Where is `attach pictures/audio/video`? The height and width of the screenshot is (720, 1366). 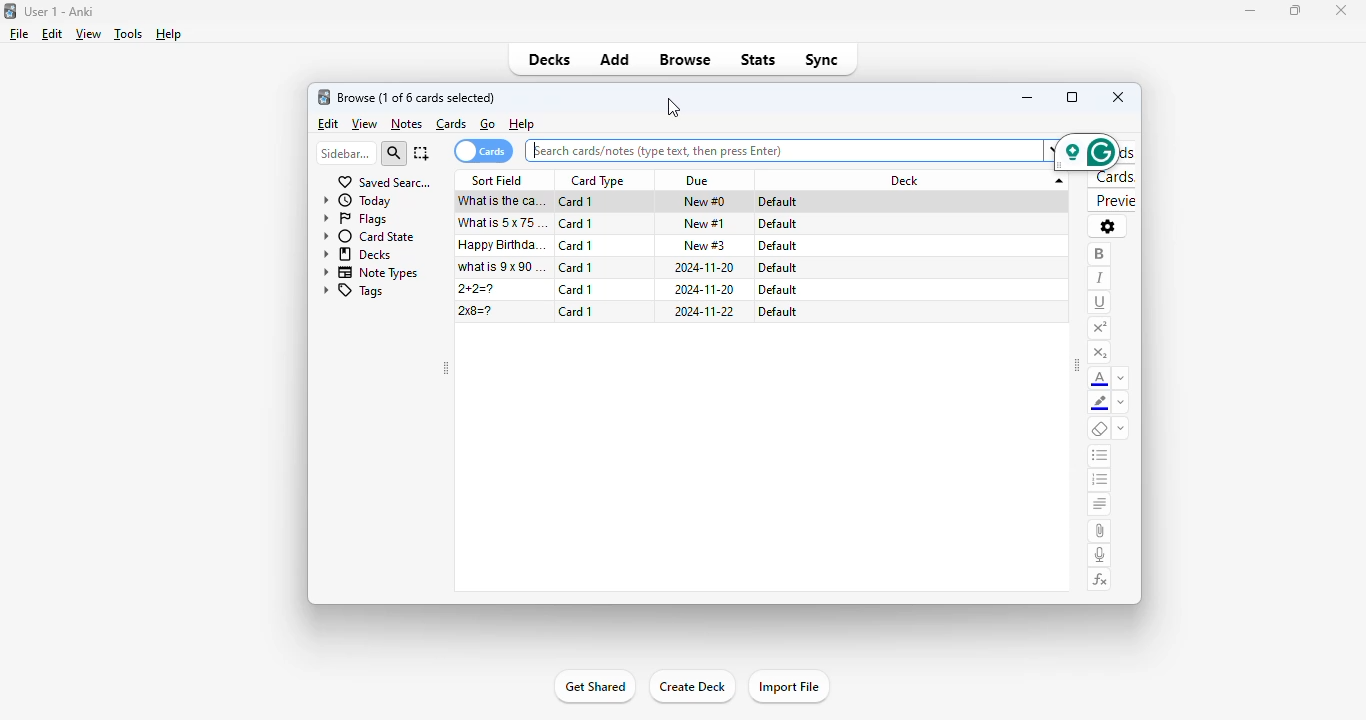
attach pictures/audio/video is located at coordinates (1100, 531).